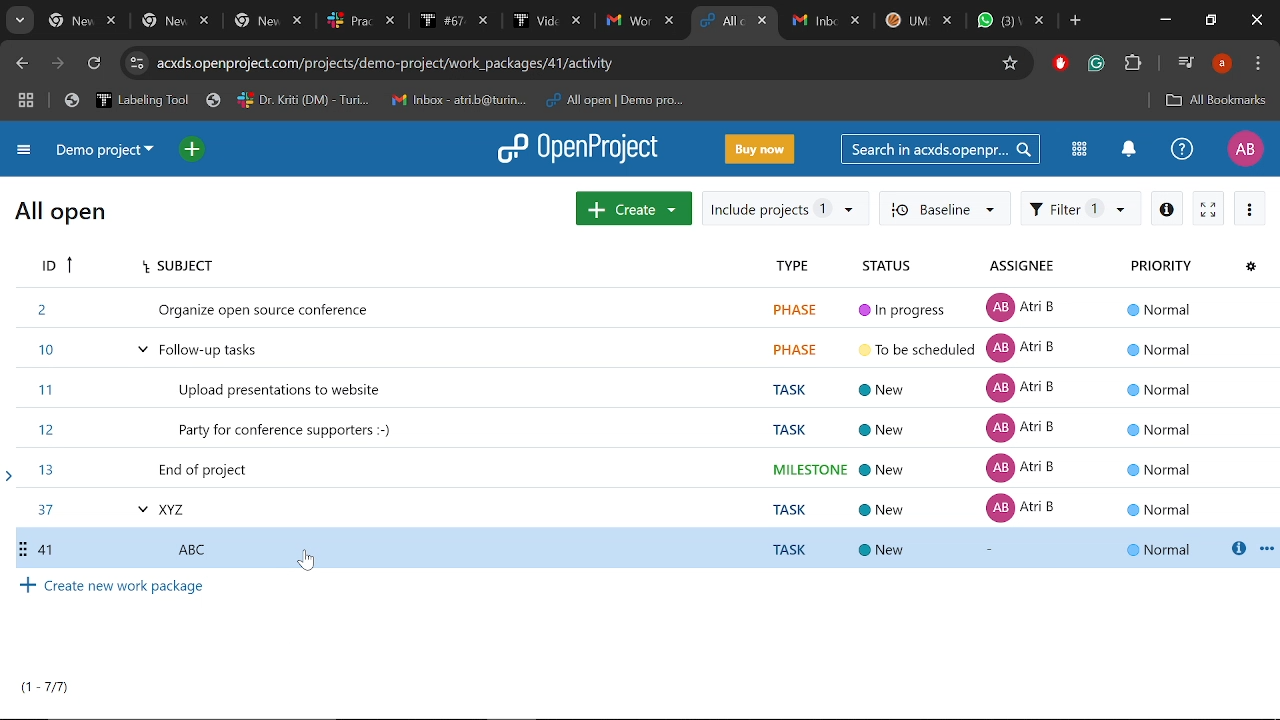 Image resolution: width=1280 pixels, height=720 pixels. I want to click on Profile, so click(1244, 149).